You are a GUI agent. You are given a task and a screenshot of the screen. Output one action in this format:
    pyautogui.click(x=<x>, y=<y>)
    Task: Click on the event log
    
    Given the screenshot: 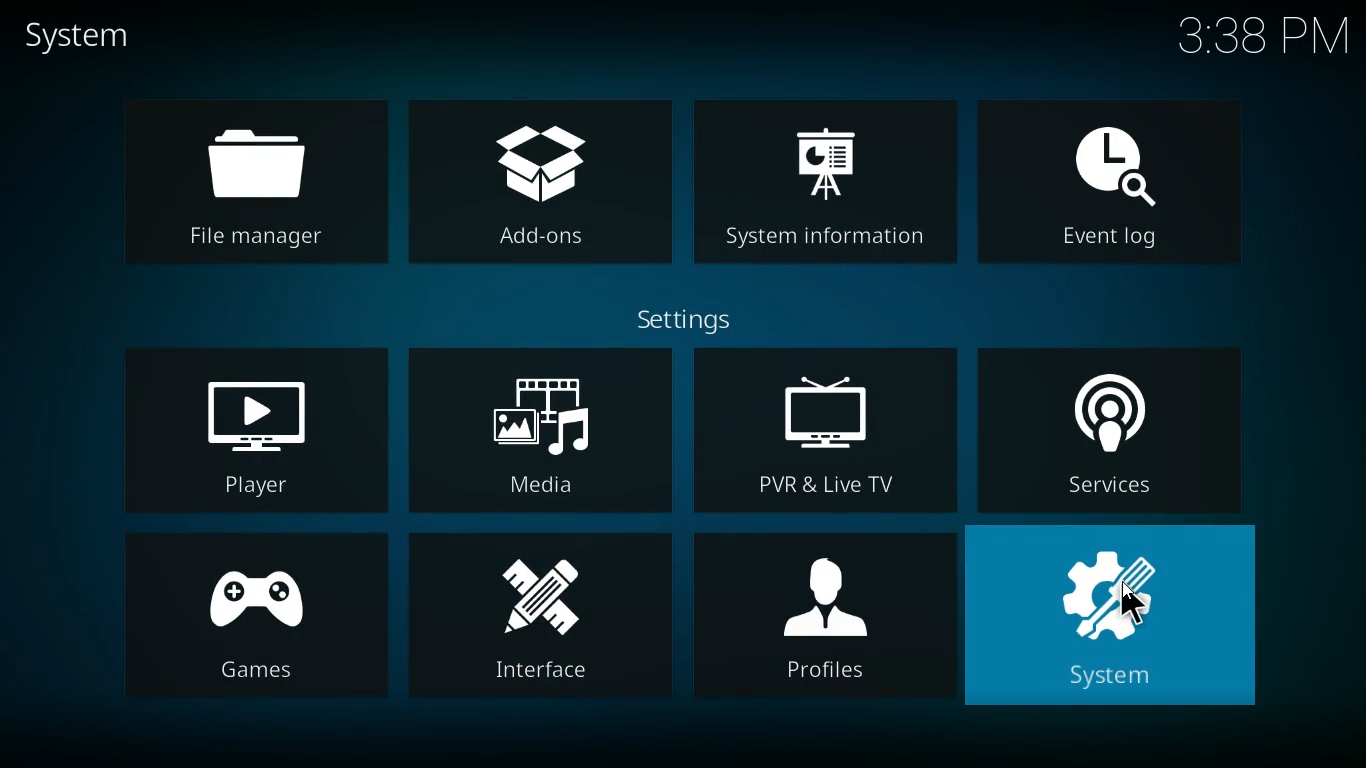 What is the action you would take?
    pyautogui.click(x=1123, y=193)
    